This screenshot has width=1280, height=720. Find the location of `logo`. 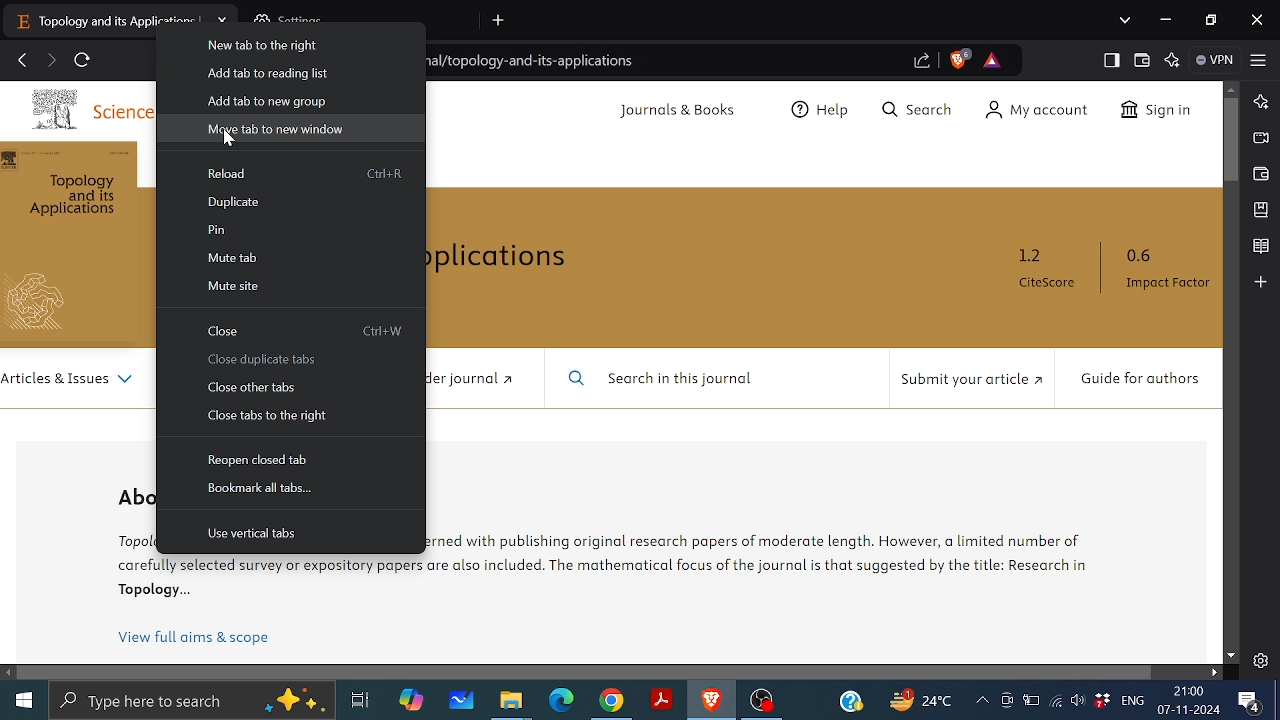

logo is located at coordinates (55, 110).